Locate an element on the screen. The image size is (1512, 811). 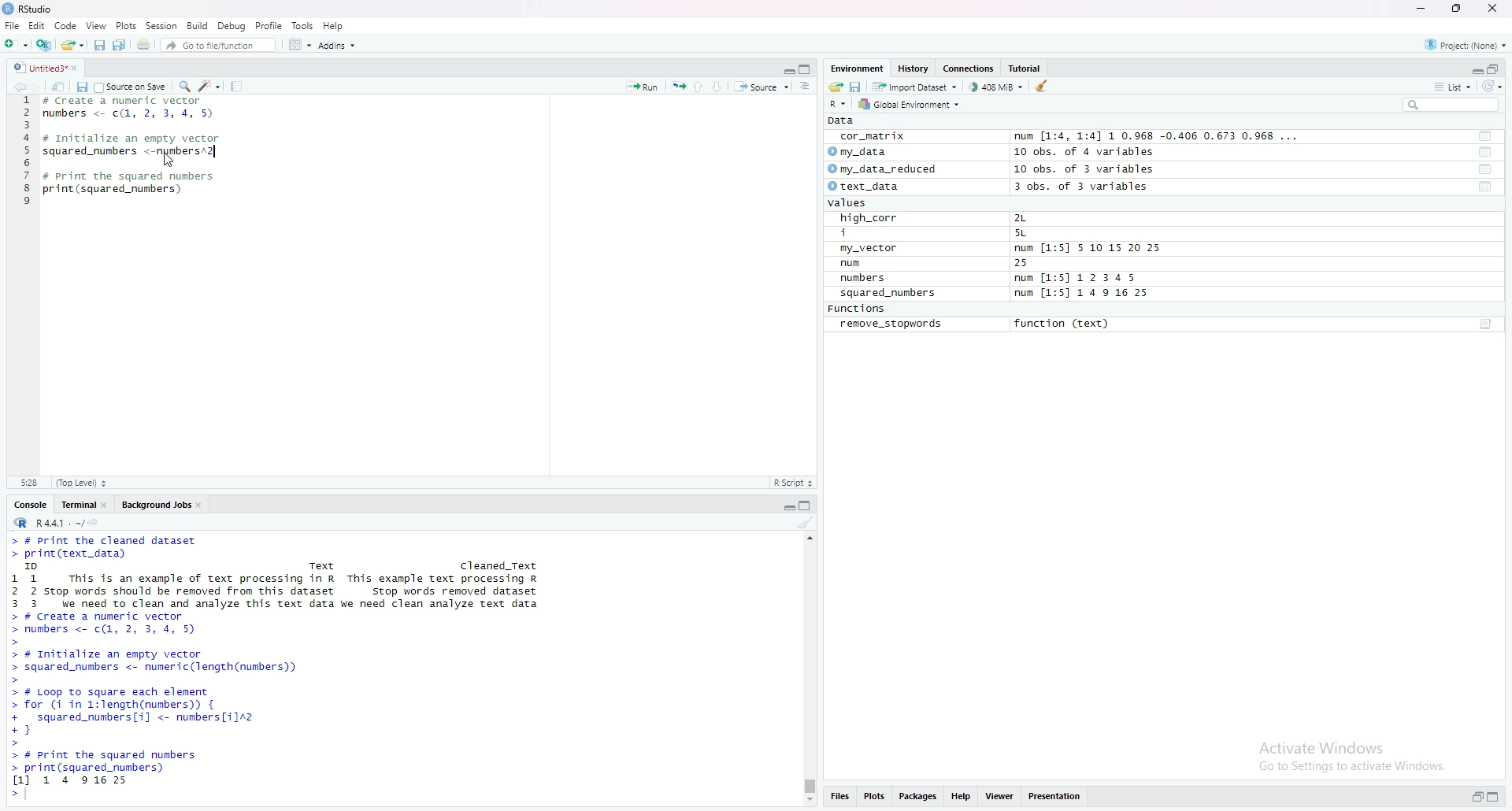
Help is located at coordinates (334, 25).